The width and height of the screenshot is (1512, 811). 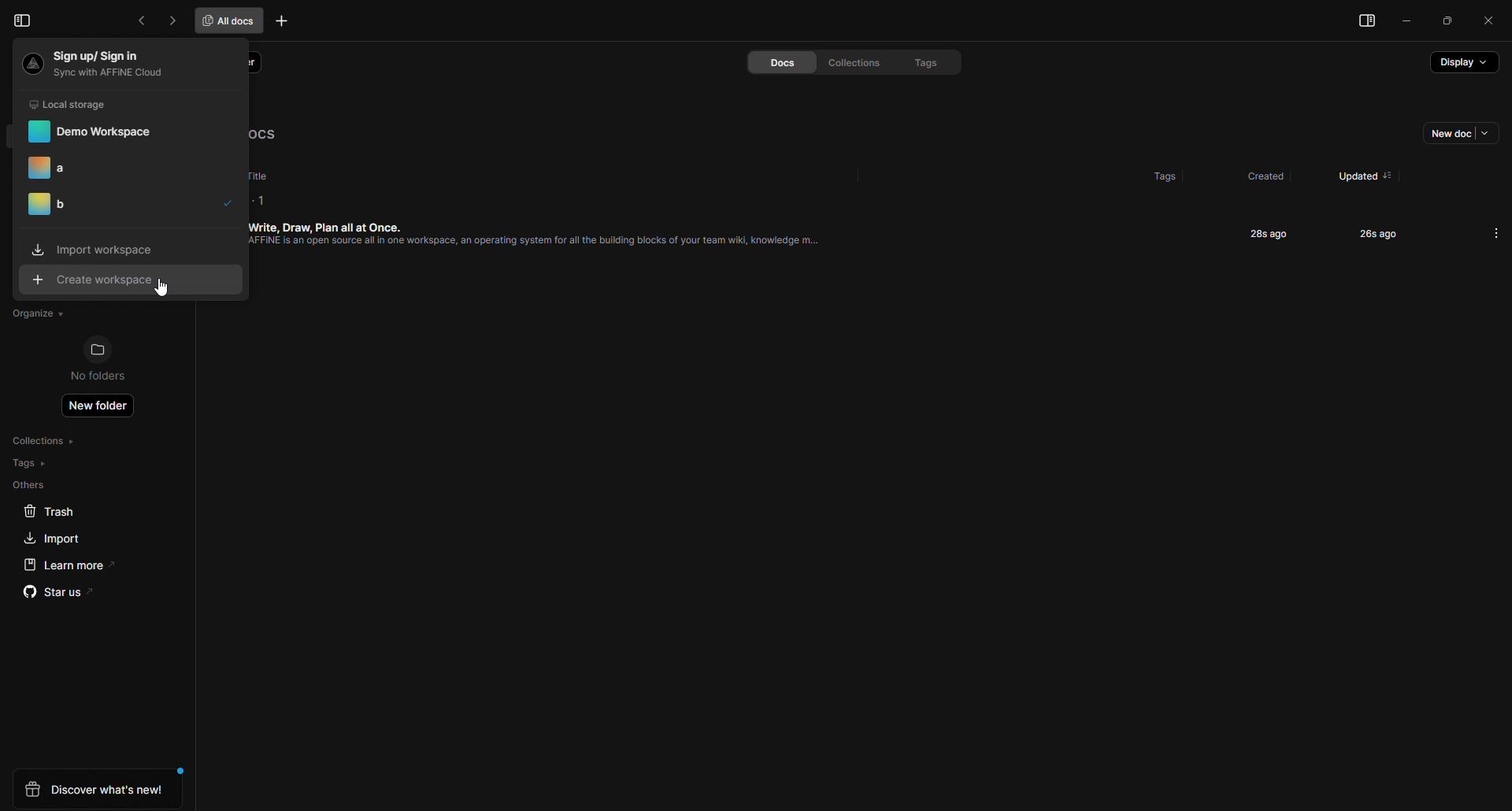 What do you see at coordinates (1496, 232) in the screenshot?
I see `more` at bounding box center [1496, 232].